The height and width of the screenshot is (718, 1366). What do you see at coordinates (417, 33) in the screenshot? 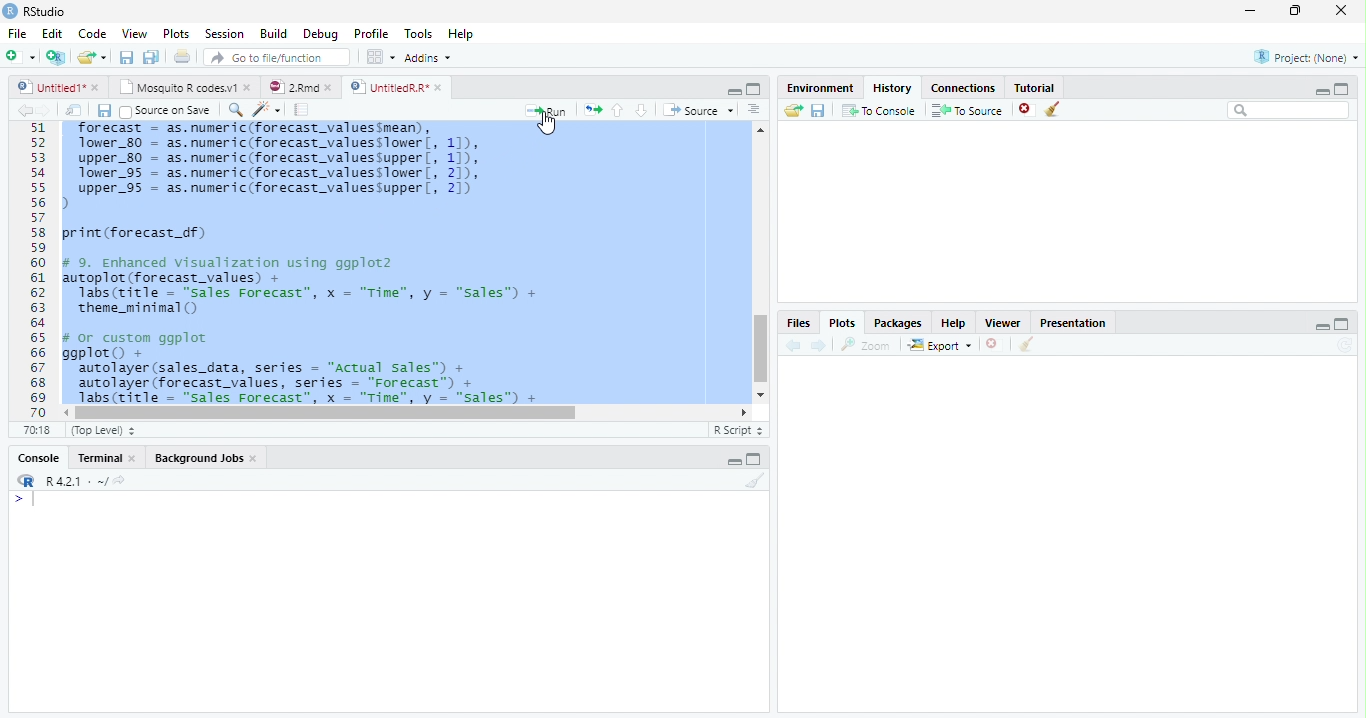
I see `Tools` at bounding box center [417, 33].